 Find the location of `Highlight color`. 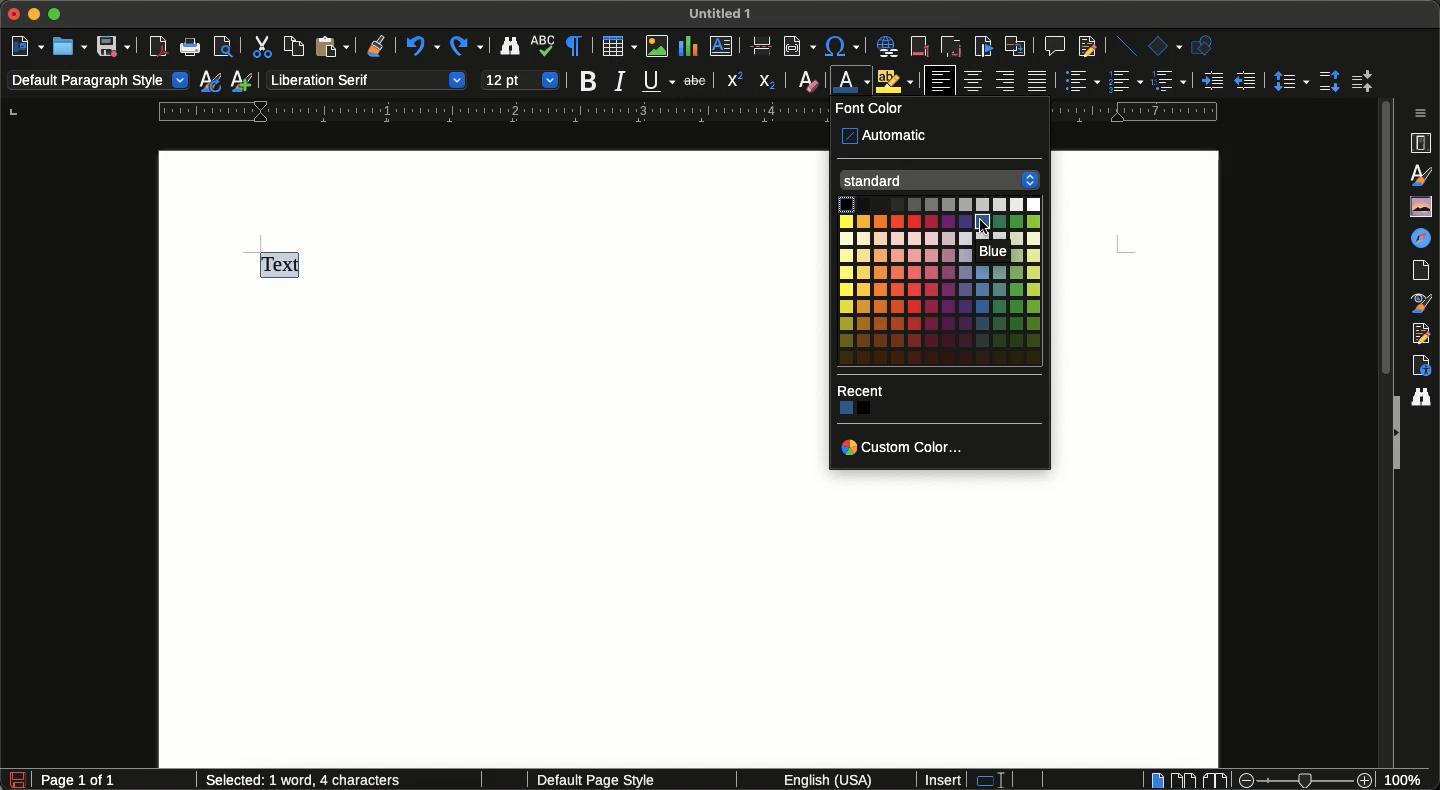

Highlight color is located at coordinates (896, 81).